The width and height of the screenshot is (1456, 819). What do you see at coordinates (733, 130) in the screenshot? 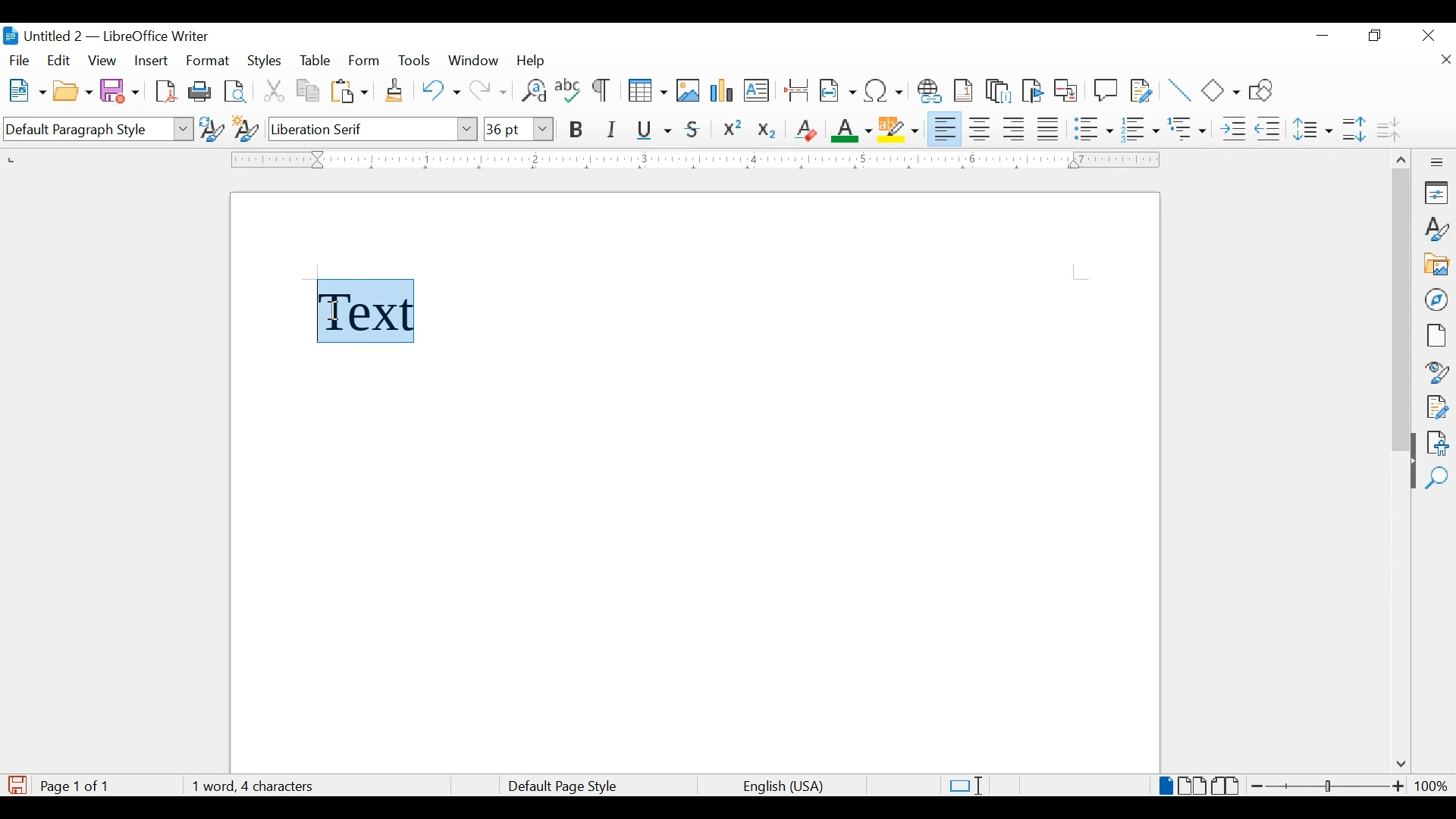
I see `superscript` at bounding box center [733, 130].